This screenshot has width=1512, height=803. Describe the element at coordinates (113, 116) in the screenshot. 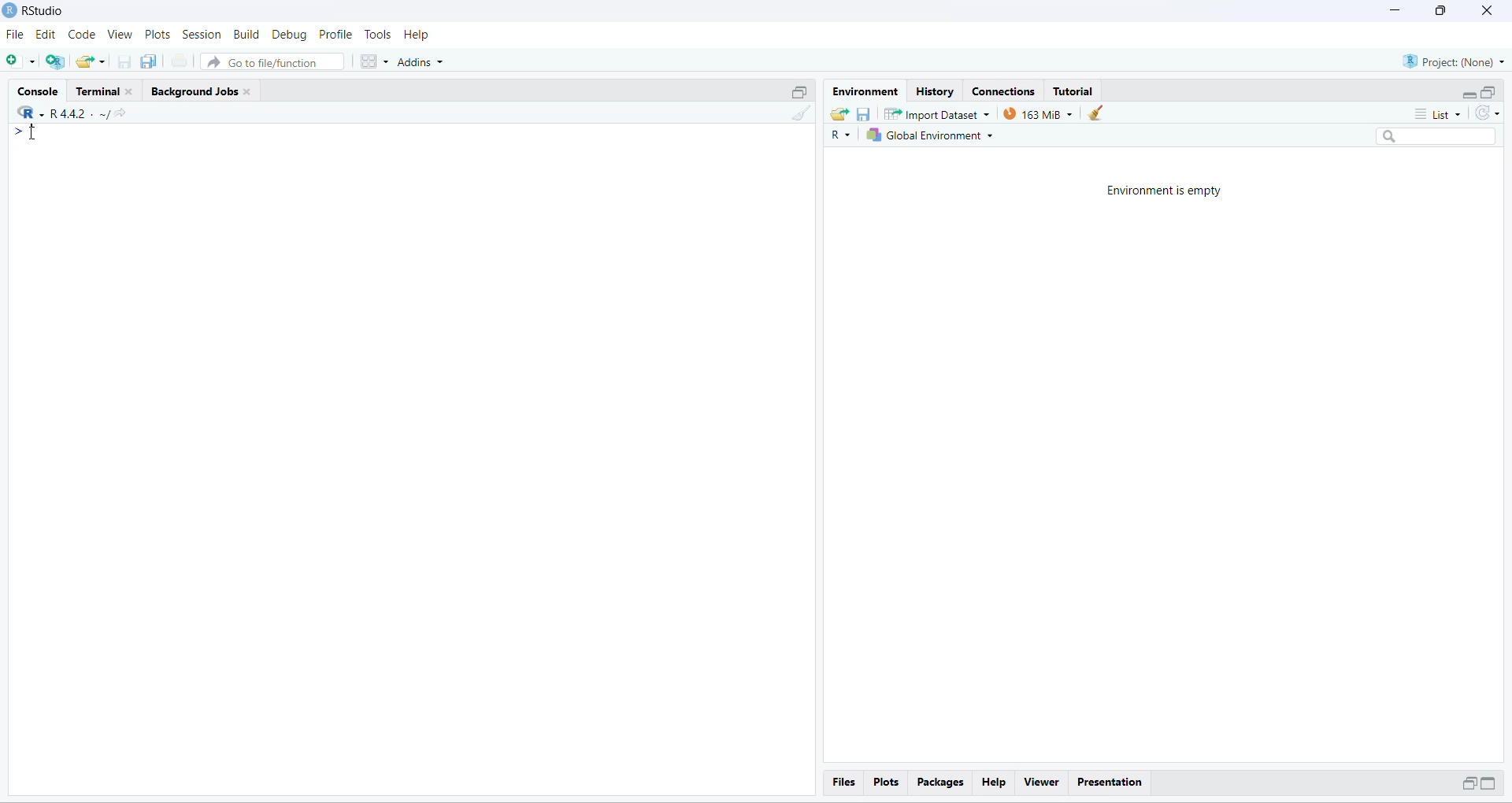

I see `share current directory` at that location.